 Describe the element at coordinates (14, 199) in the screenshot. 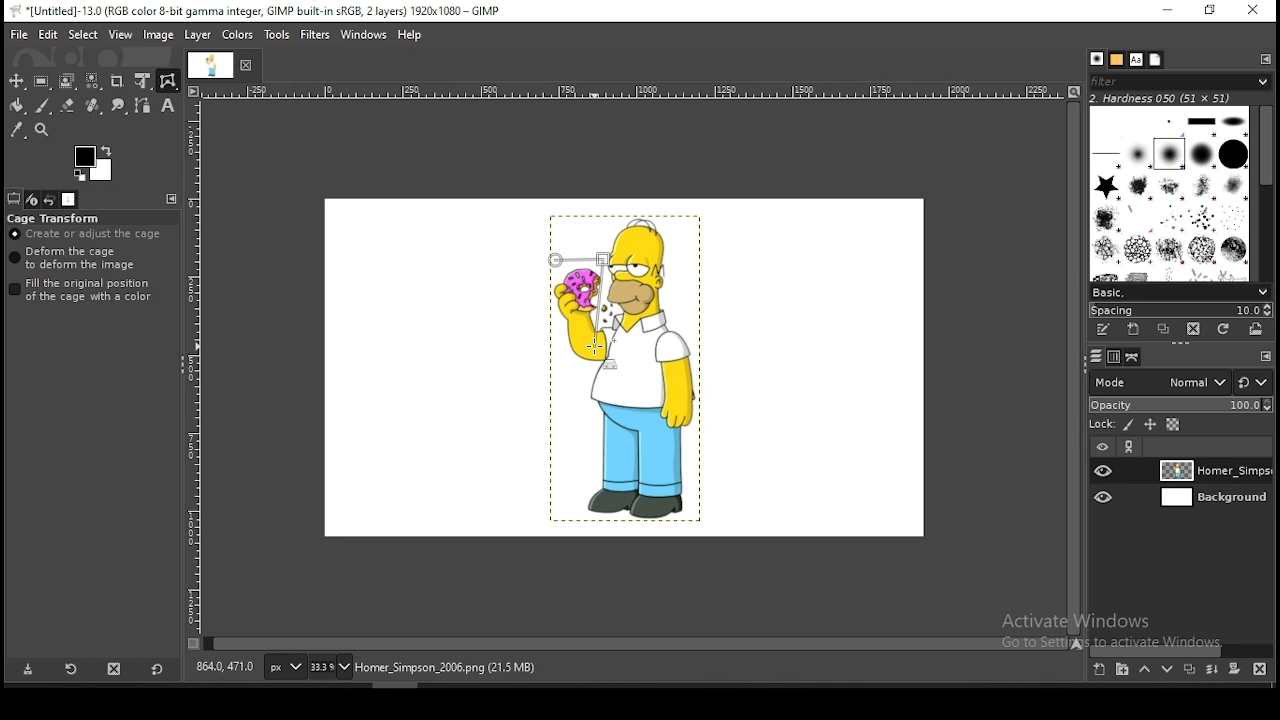

I see `tool options` at that location.